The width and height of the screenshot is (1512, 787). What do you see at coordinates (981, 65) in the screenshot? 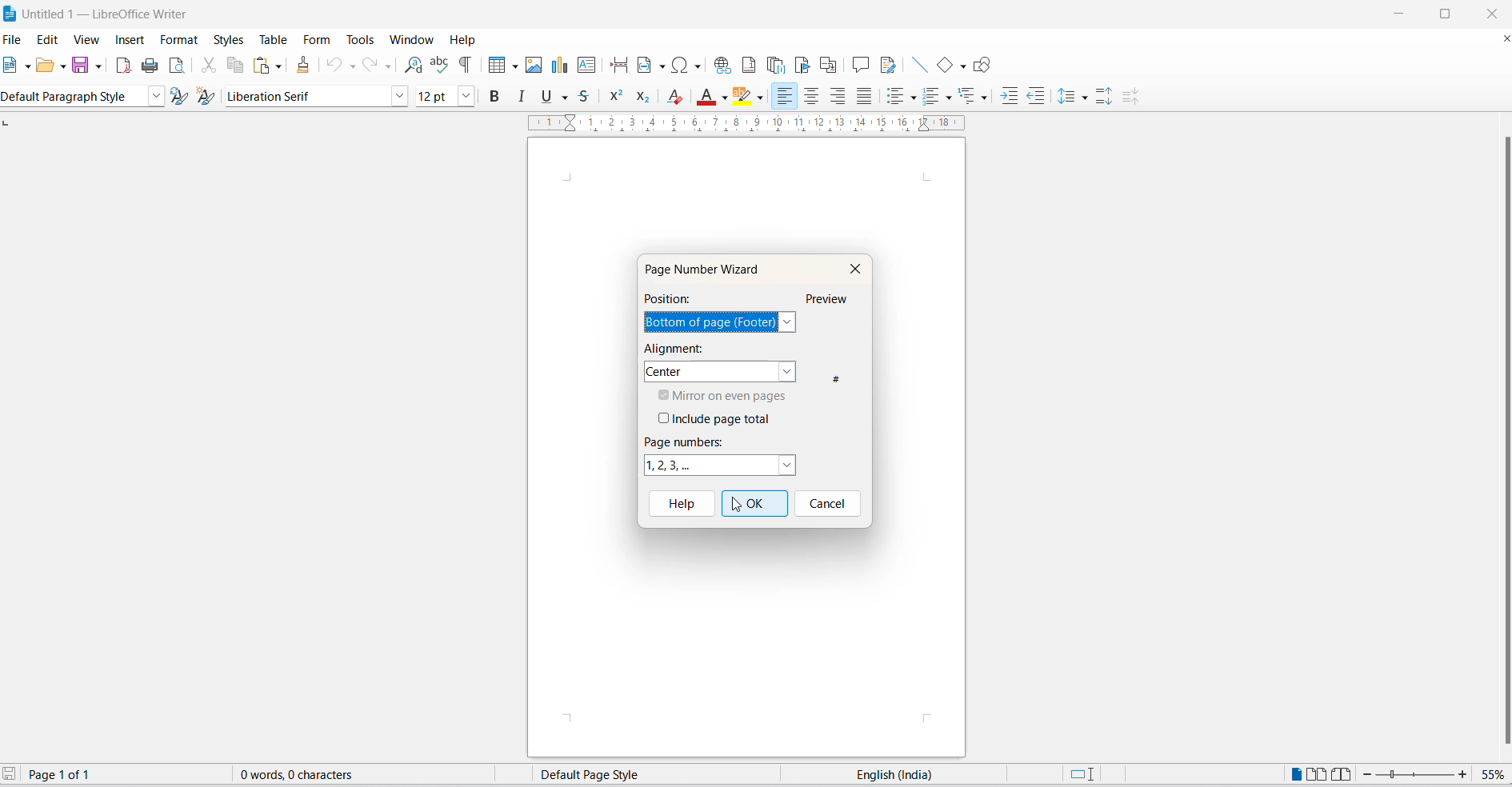
I see `show draw functions` at bounding box center [981, 65].